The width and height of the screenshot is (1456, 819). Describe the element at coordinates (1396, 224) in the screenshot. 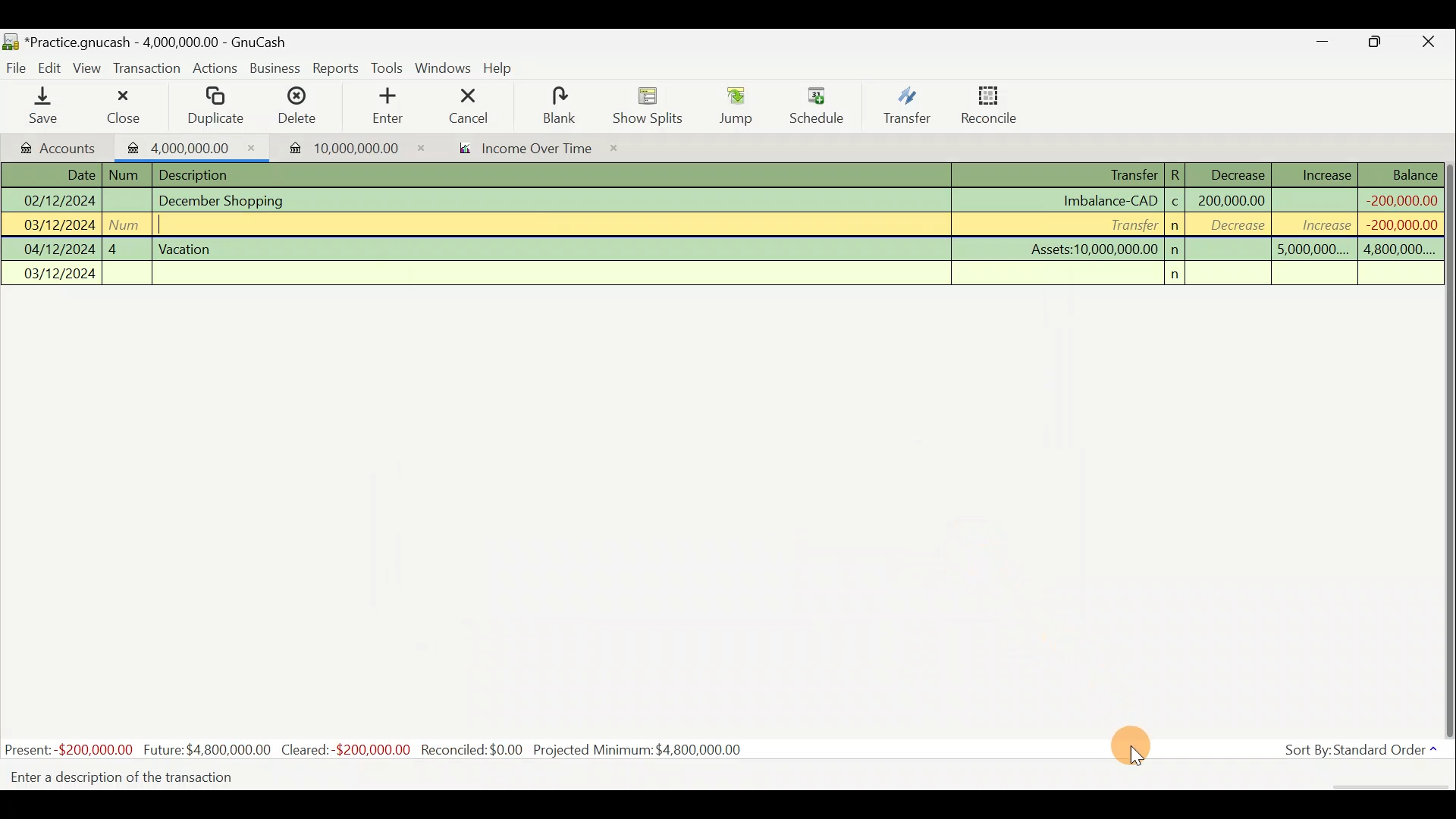

I see `-200,000,000` at that location.